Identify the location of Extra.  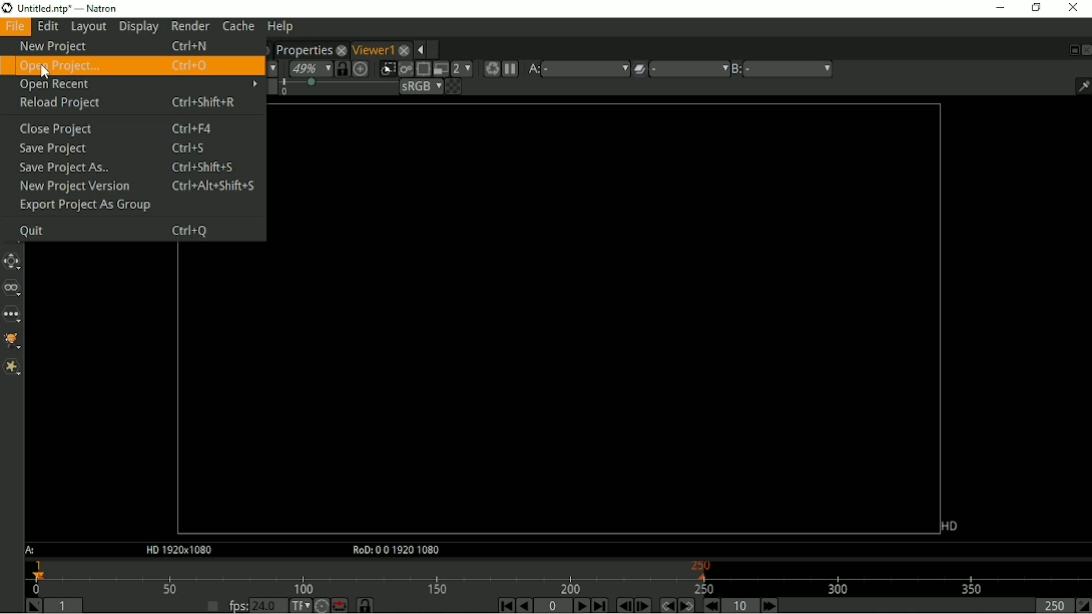
(12, 367).